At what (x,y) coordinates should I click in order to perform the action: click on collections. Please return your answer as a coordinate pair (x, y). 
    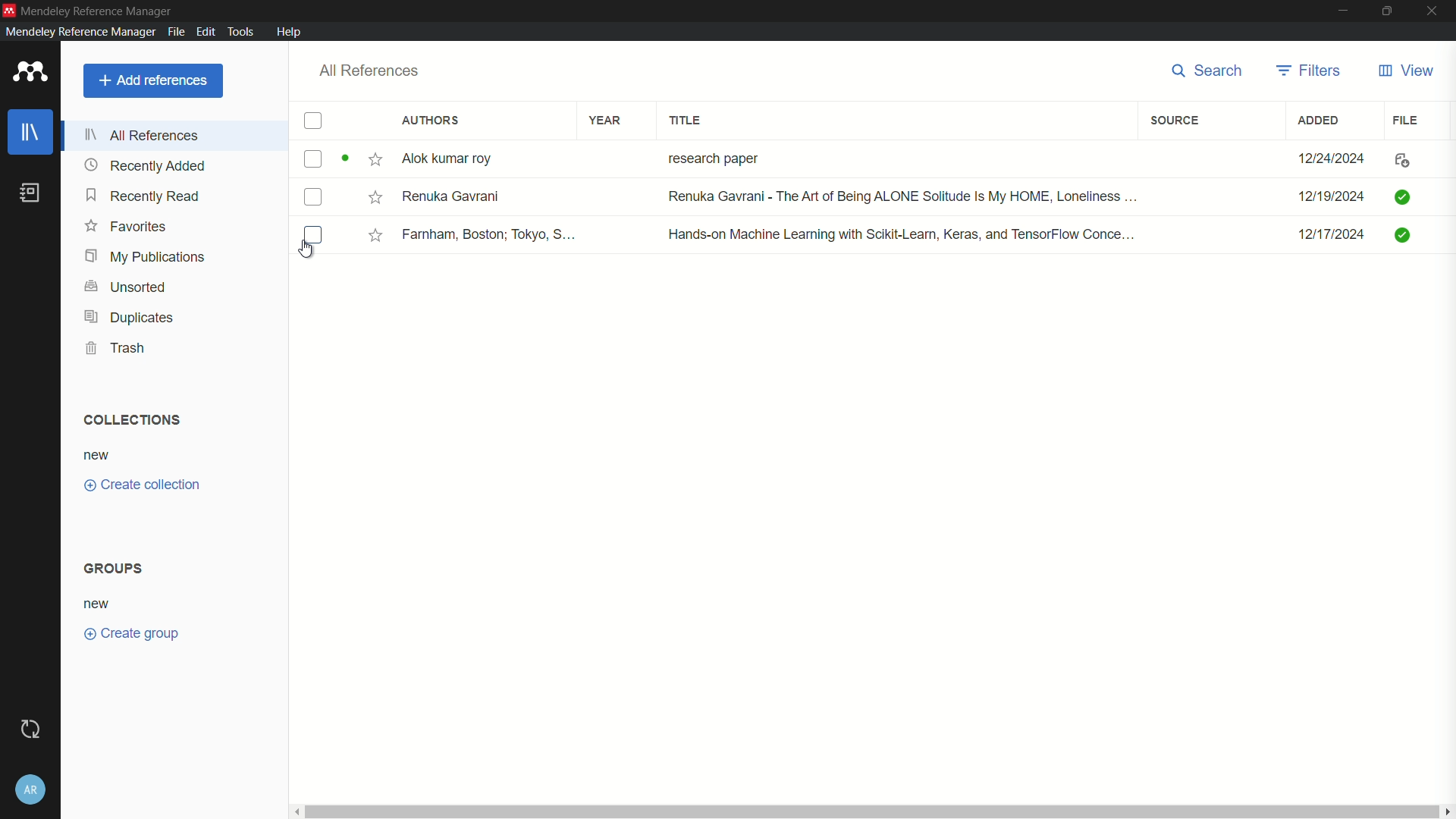
    Looking at the image, I should click on (133, 420).